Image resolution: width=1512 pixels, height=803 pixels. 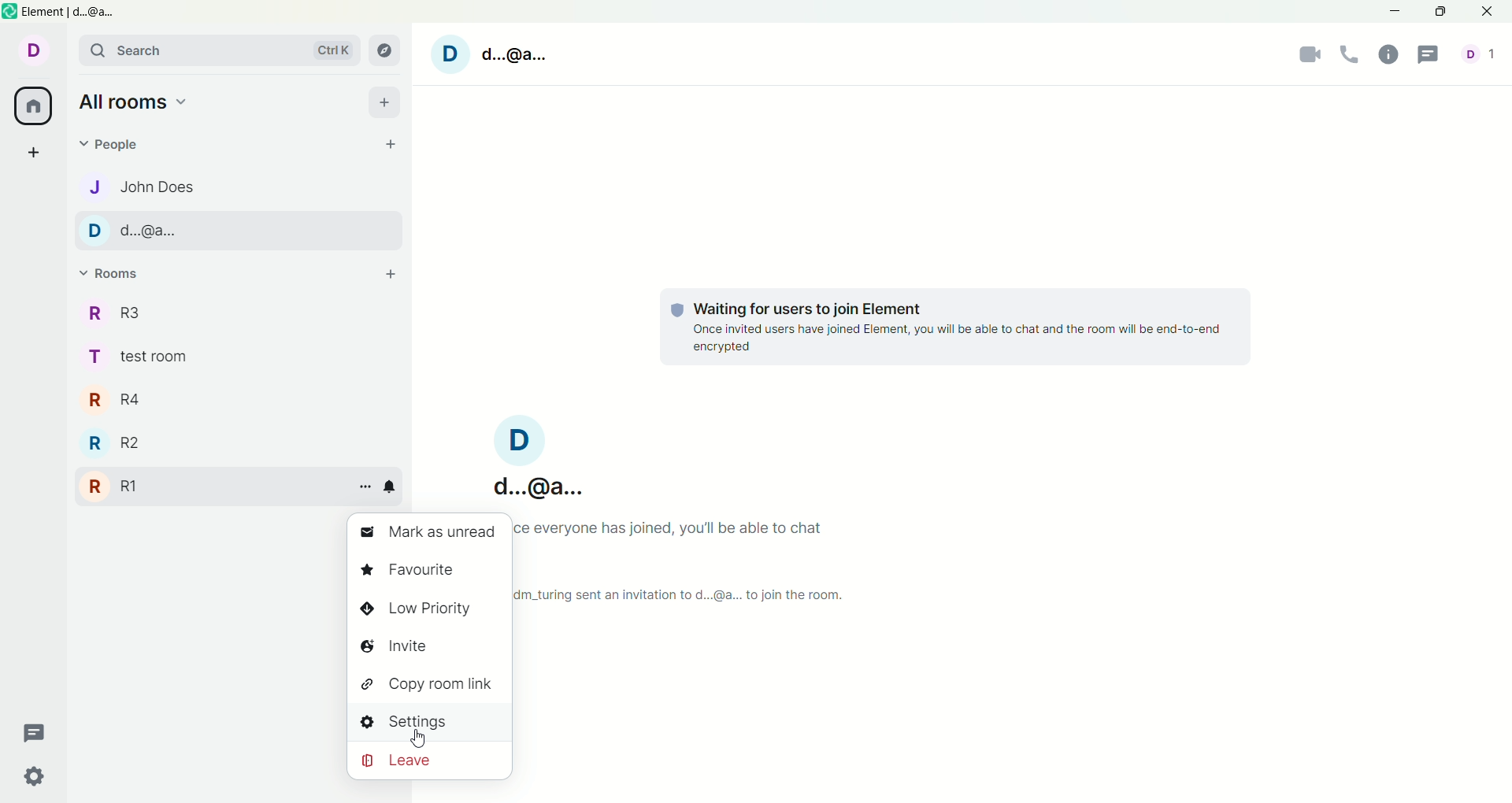 I want to click on add, so click(x=384, y=104).